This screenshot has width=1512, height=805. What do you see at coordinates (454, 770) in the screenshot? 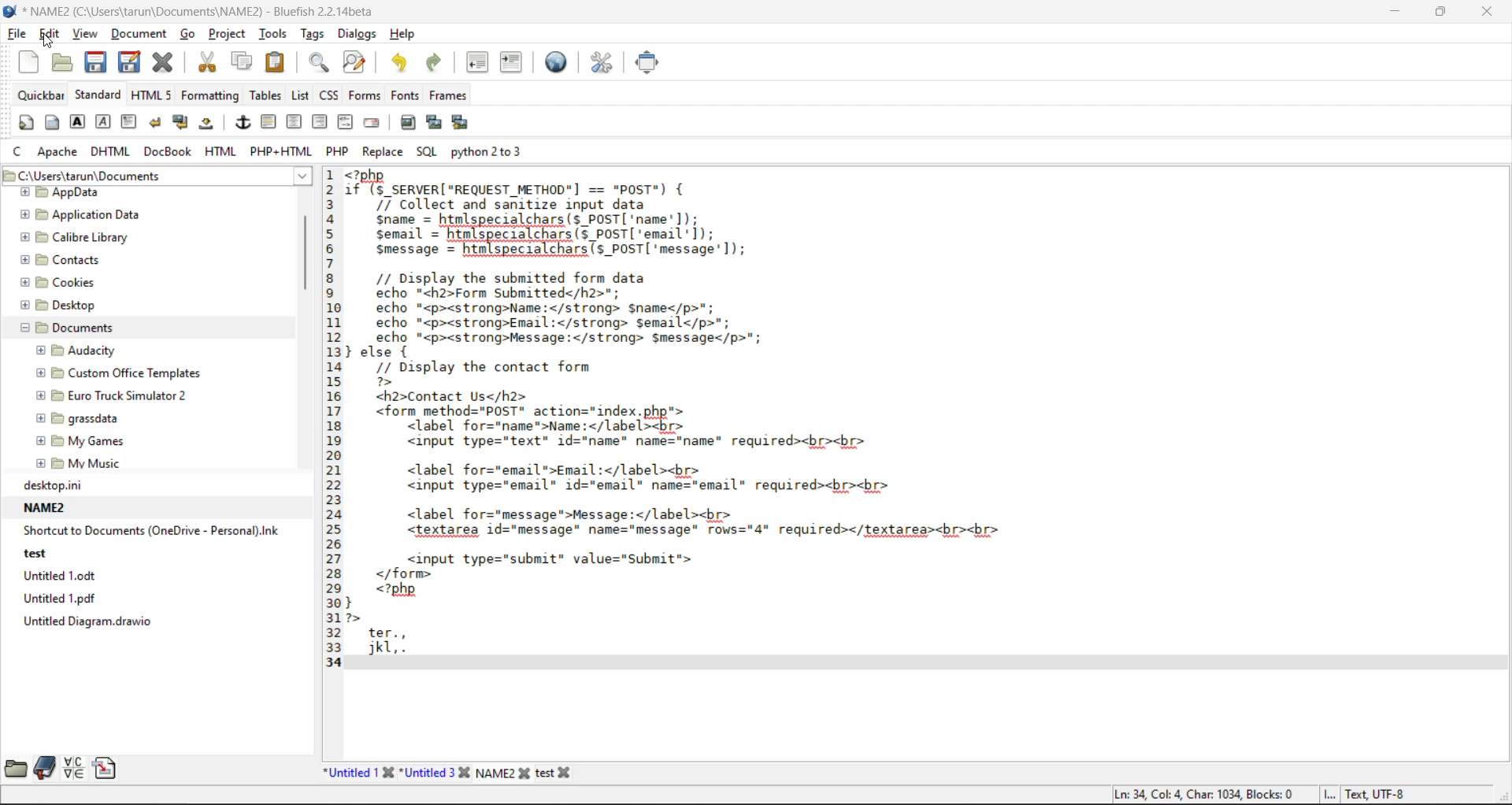
I see `file names` at bounding box center [454, 770].